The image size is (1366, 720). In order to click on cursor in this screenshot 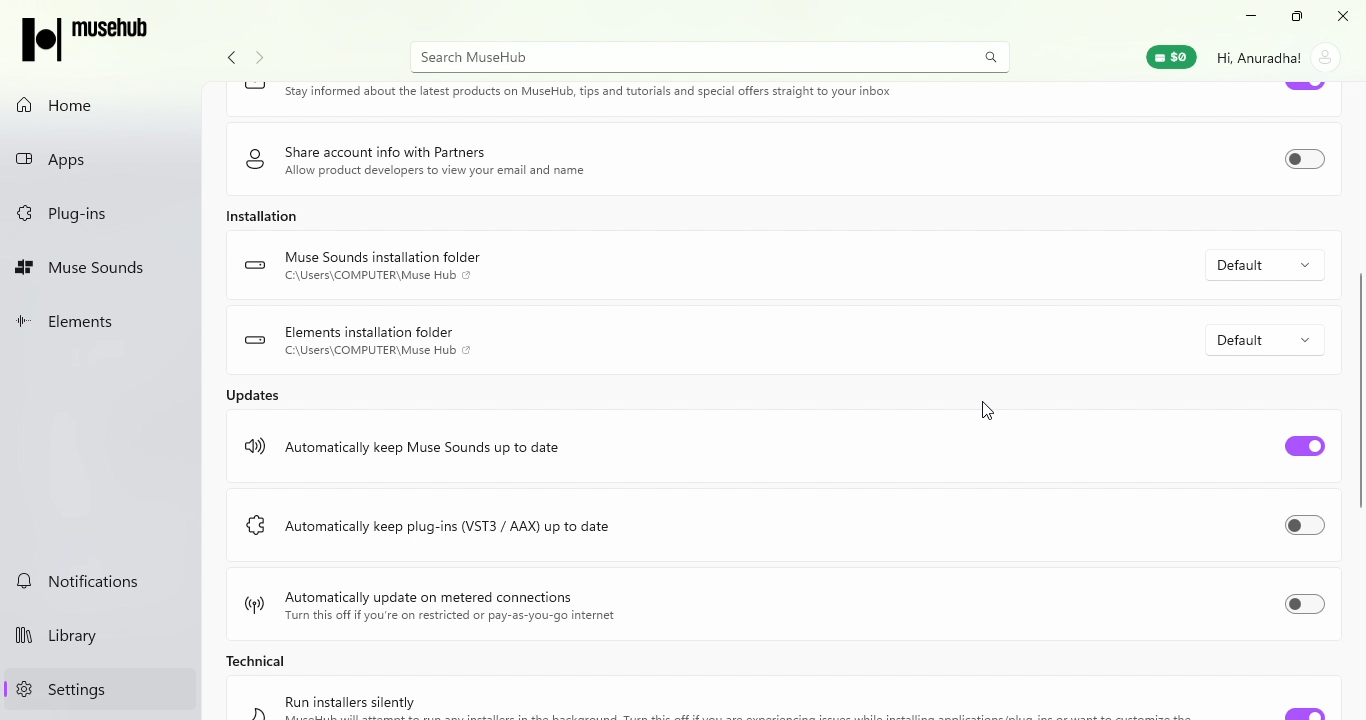, I will do `click(989, 411)`.